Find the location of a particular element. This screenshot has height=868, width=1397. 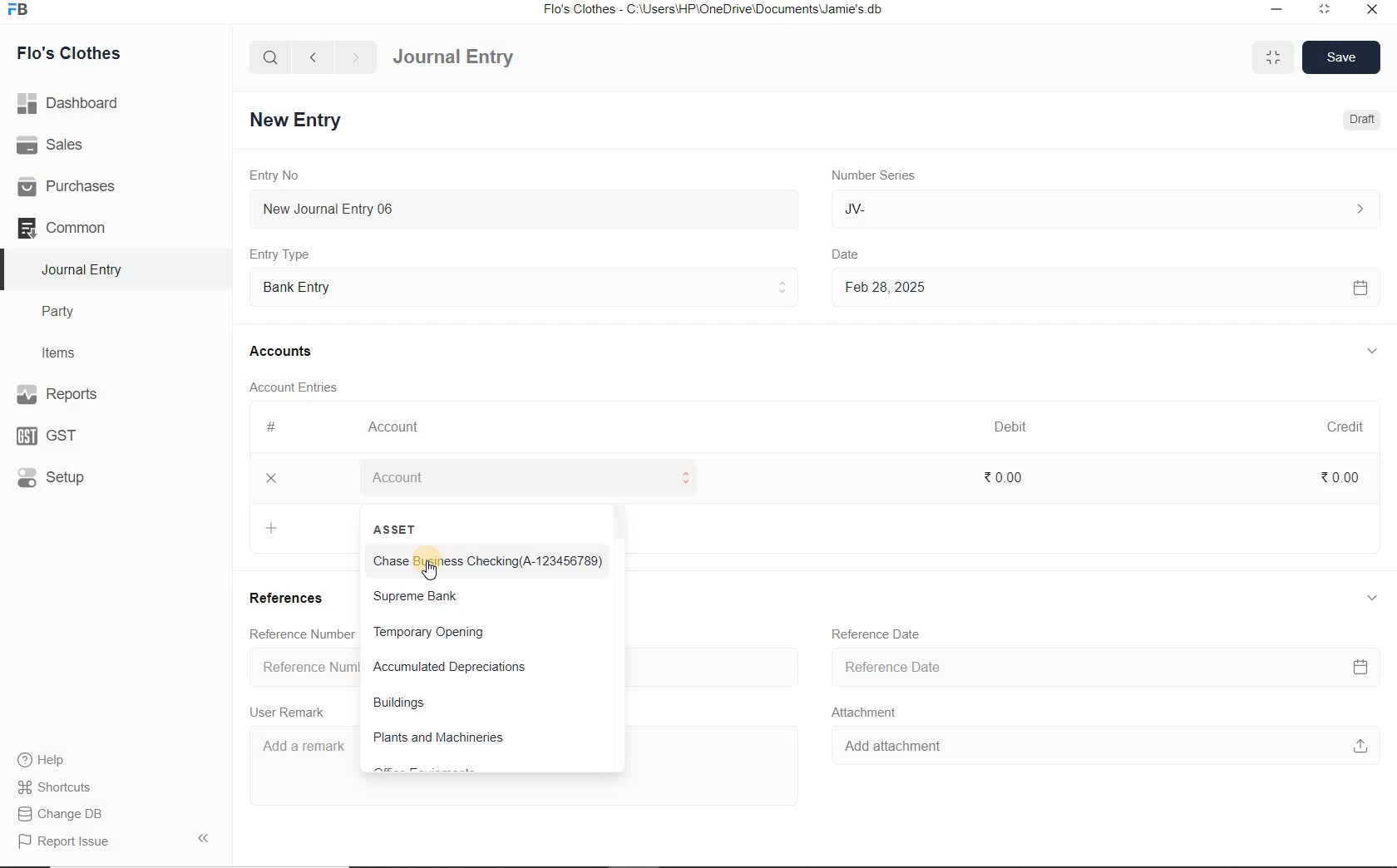

New Entry is located at coordinates (299, 119).